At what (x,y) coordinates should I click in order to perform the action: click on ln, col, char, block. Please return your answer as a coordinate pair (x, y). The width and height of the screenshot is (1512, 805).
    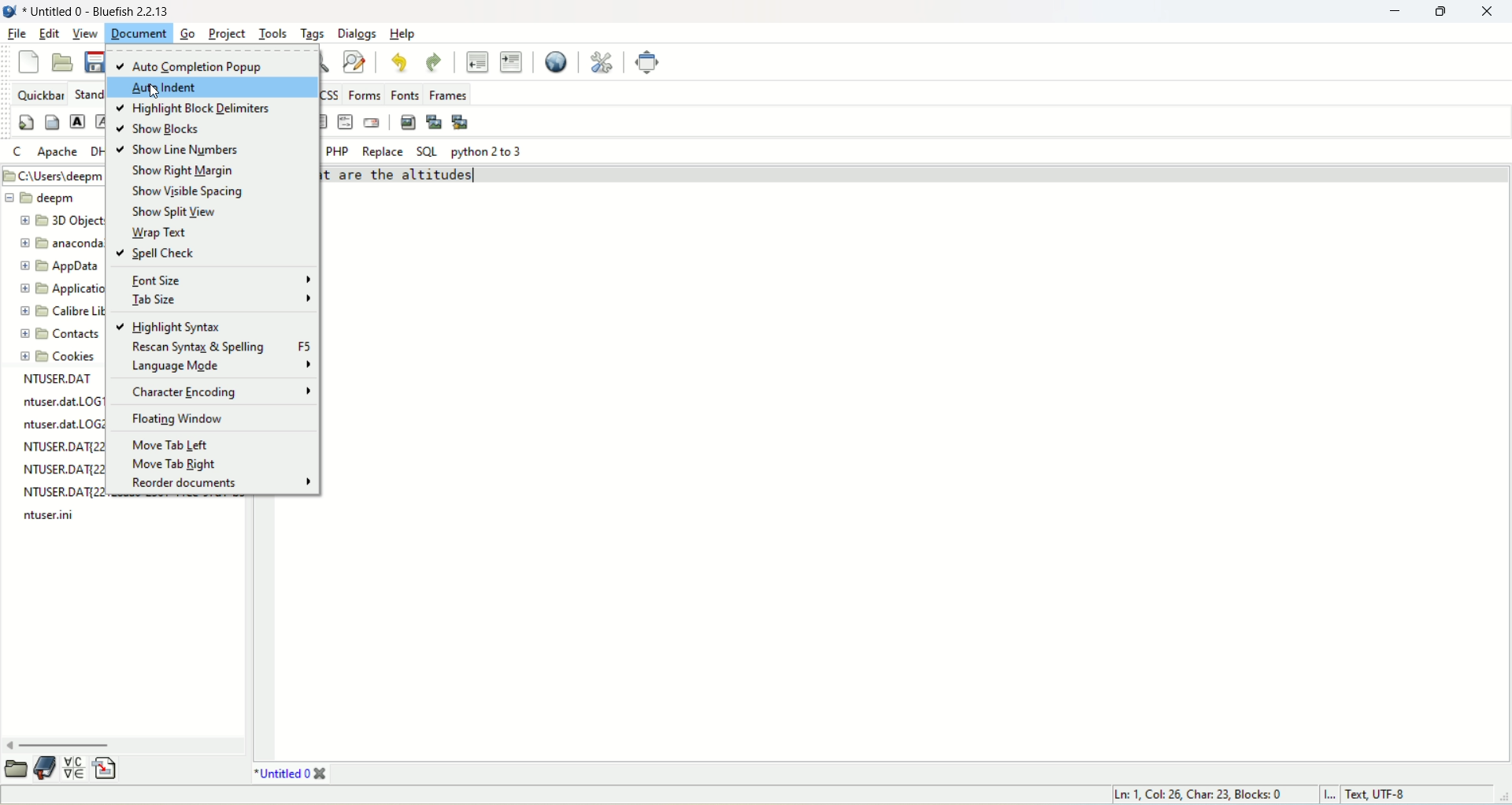
    Looking at the image, I should click on (1193, 794).